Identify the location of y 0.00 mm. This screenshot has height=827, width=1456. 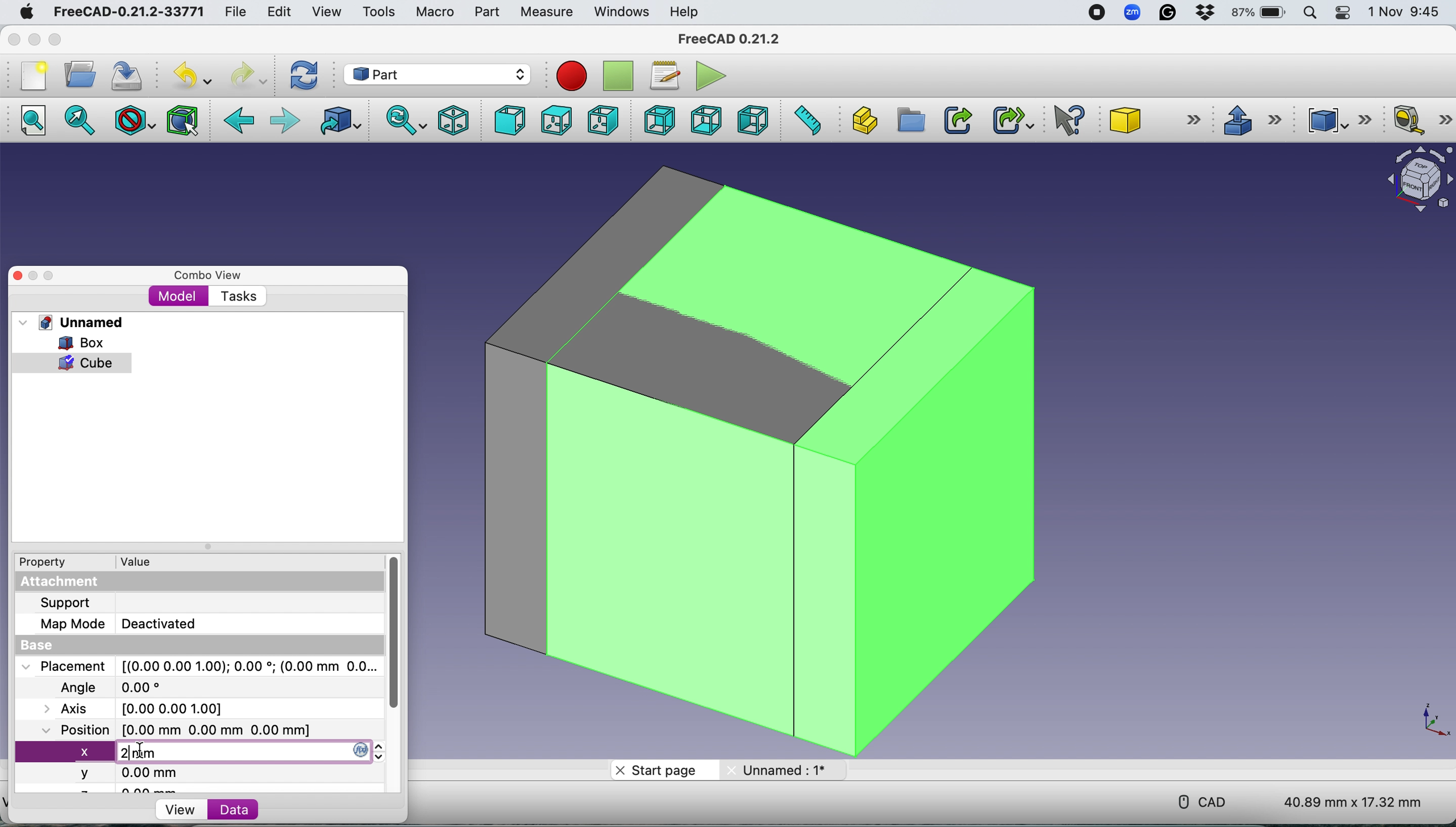
(122, 774).